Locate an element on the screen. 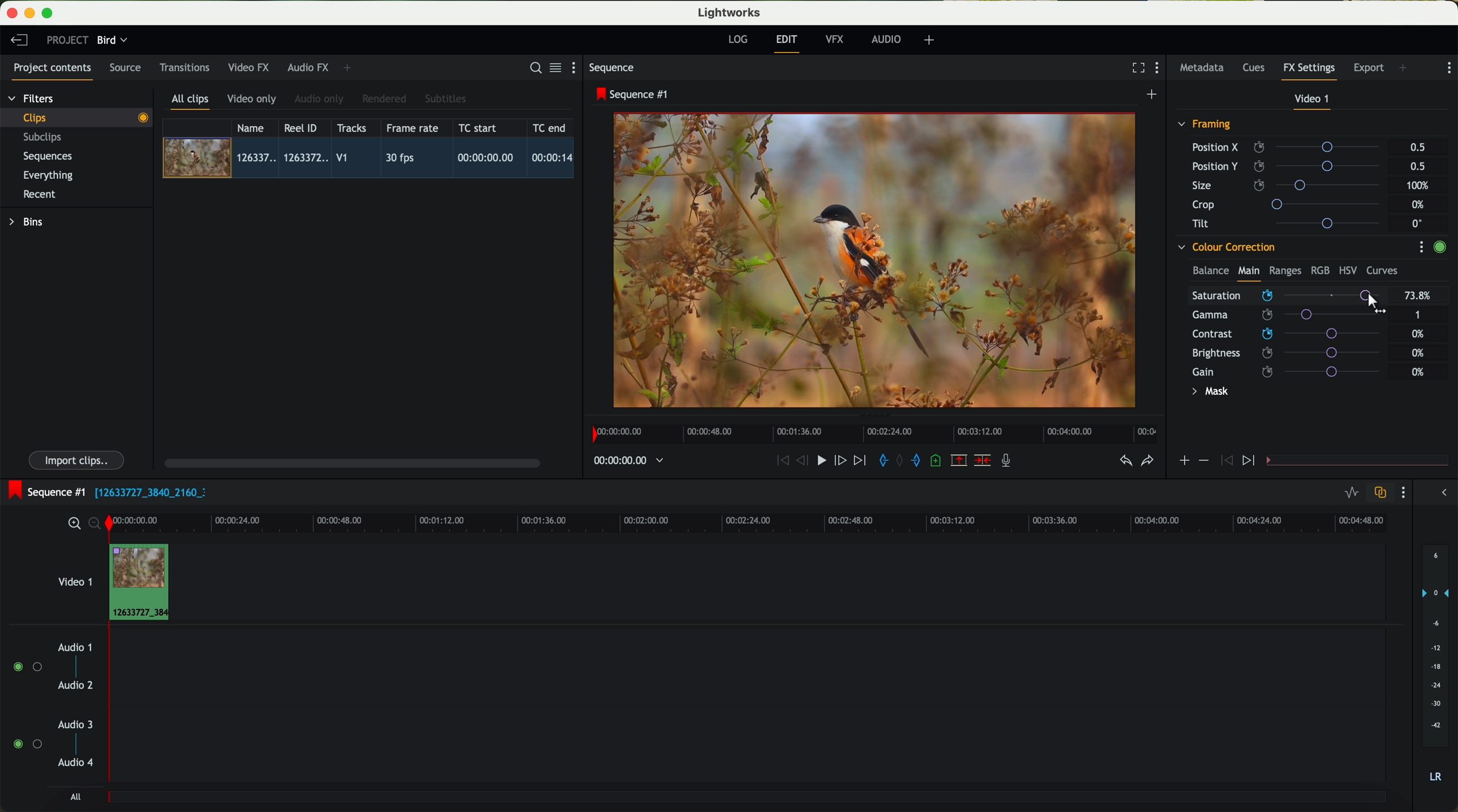 The height and width of the screenshot is (812, 1458). rewind is located at coordinates (782, 461).